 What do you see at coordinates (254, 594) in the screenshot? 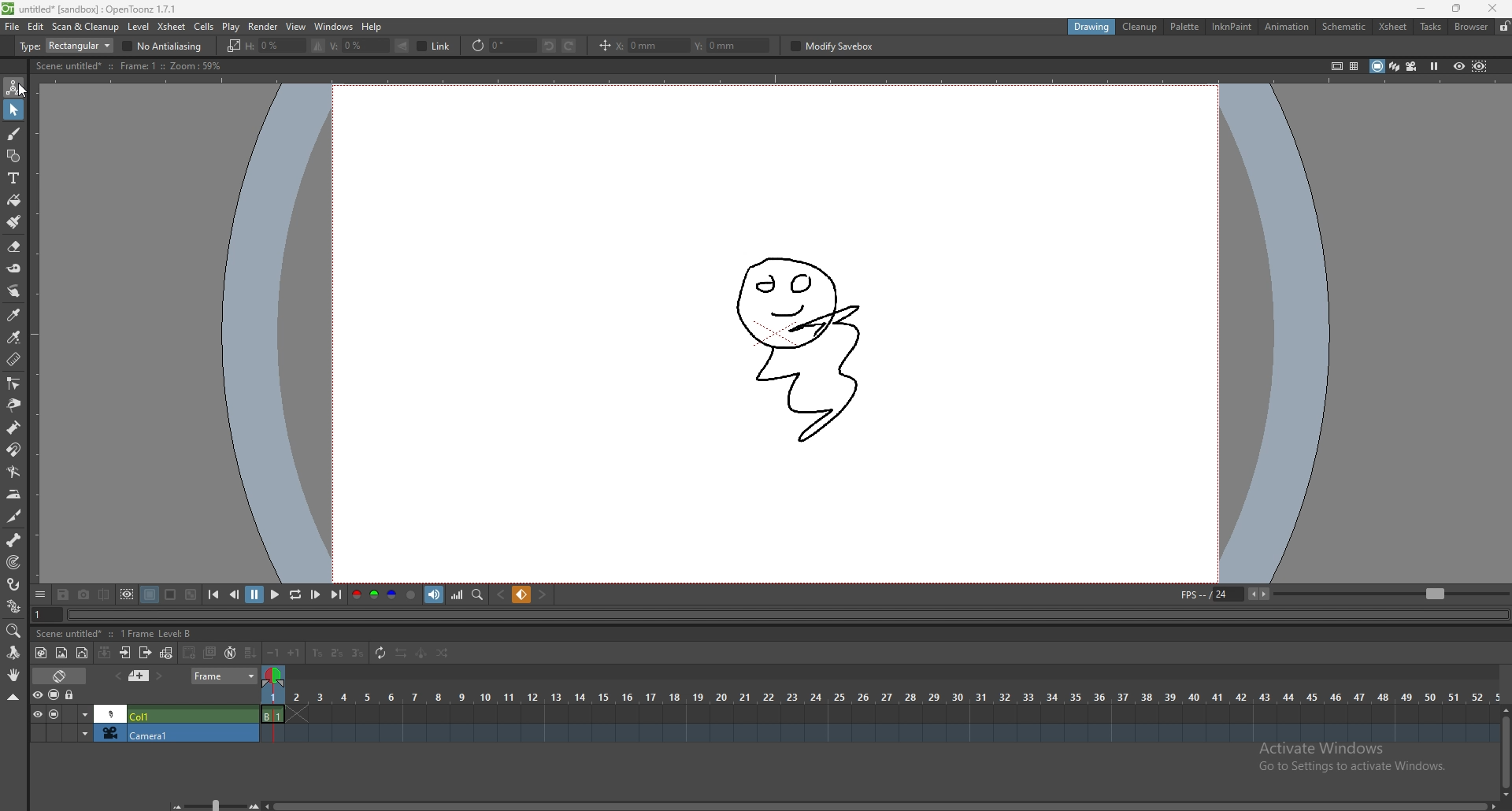
I see `pause` at bounding box center [254, 594].